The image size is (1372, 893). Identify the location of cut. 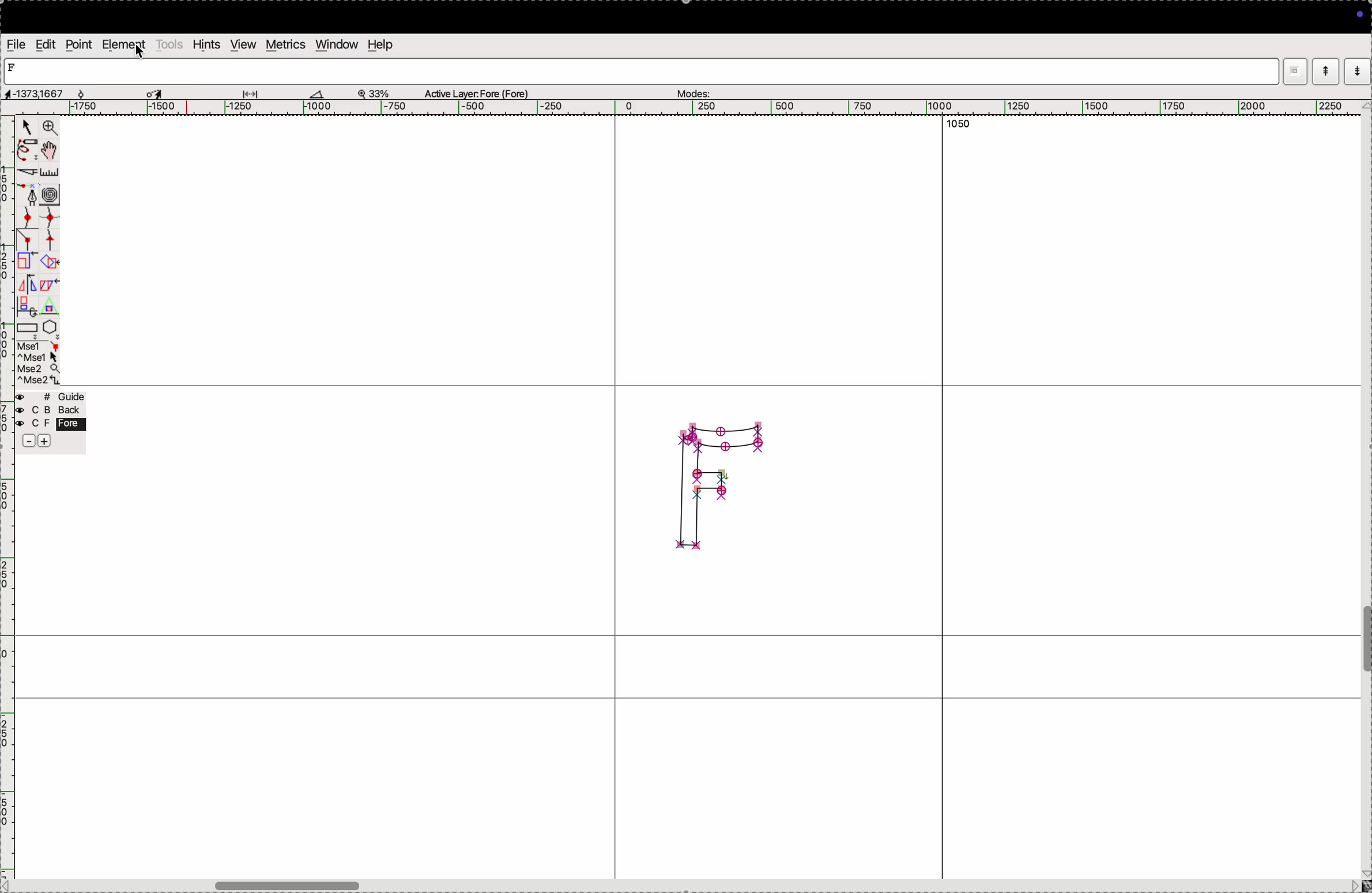
(28, 174).